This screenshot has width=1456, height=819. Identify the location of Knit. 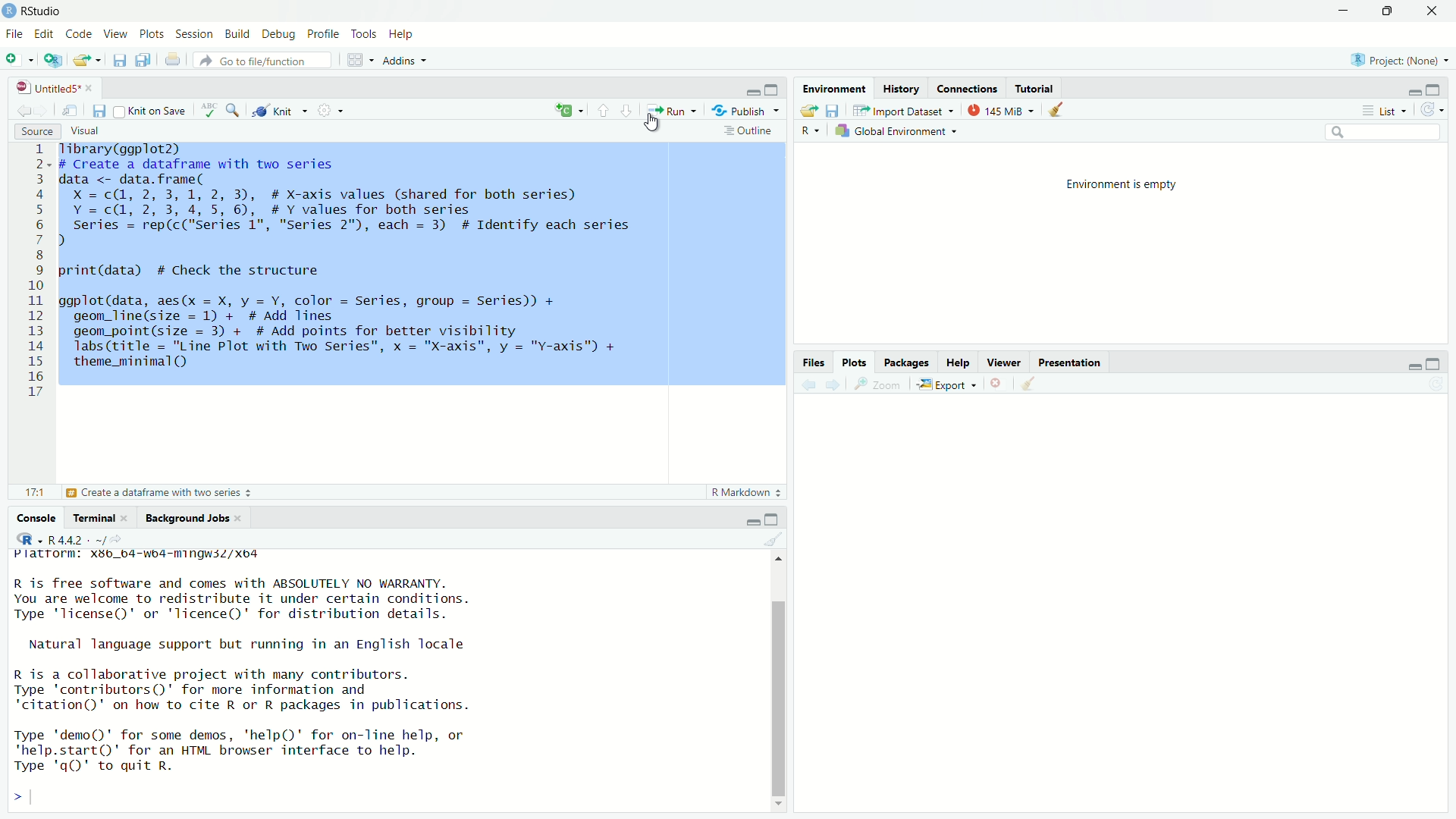
(281, 111).